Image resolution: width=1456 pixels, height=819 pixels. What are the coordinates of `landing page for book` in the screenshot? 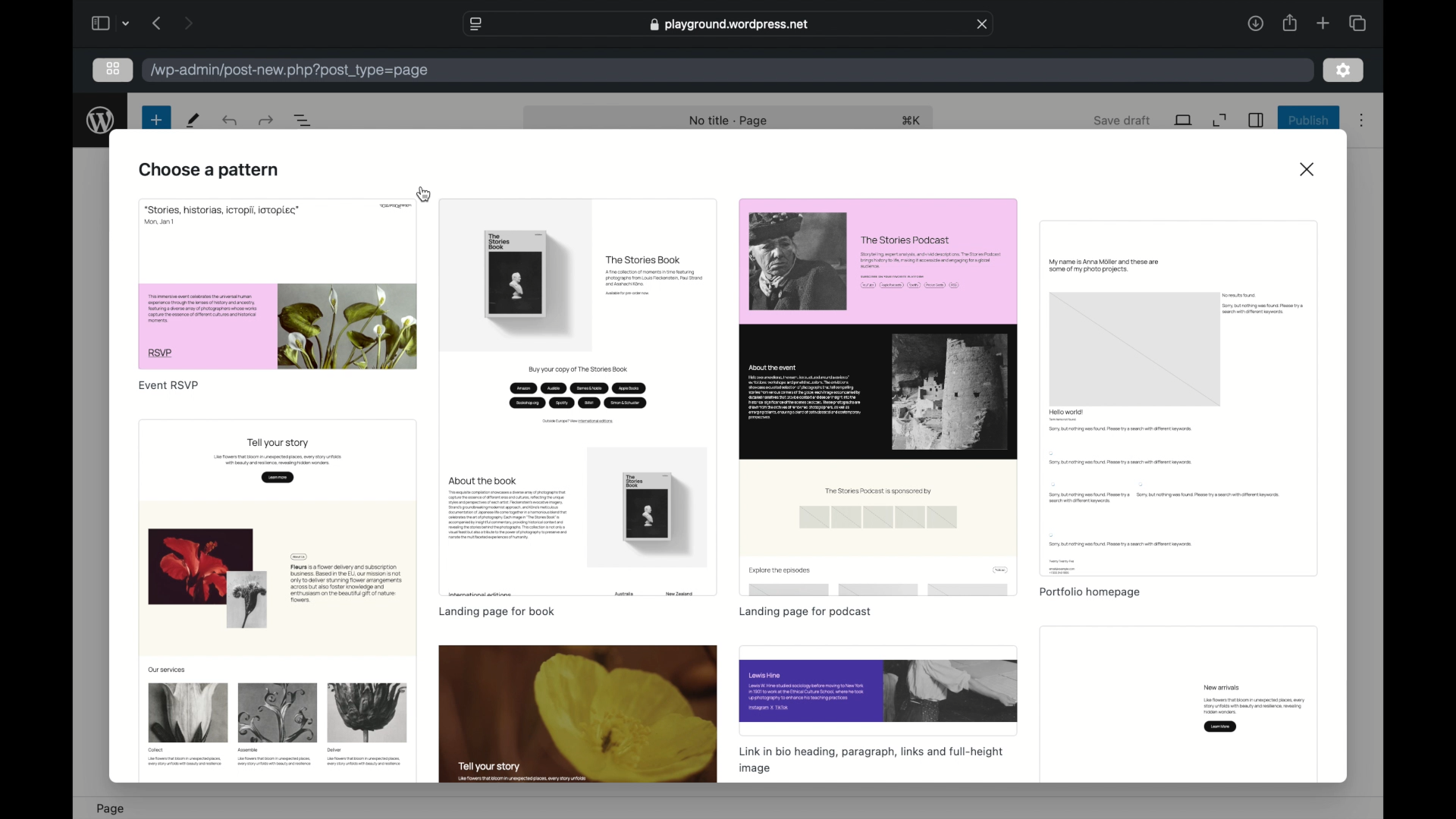 It's located at (495, 611).